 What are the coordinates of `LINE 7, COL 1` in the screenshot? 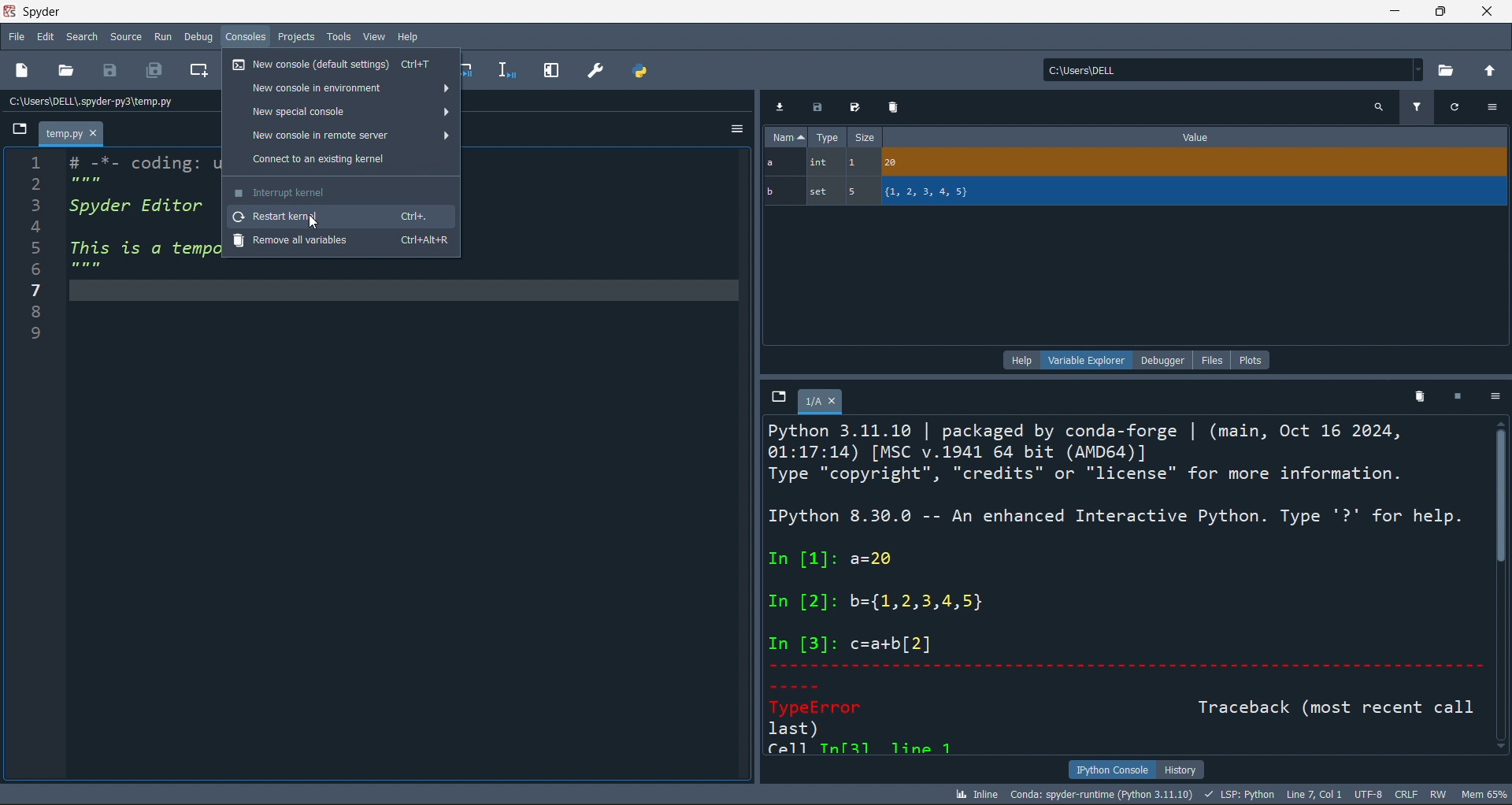 It's located at (1317, 793).